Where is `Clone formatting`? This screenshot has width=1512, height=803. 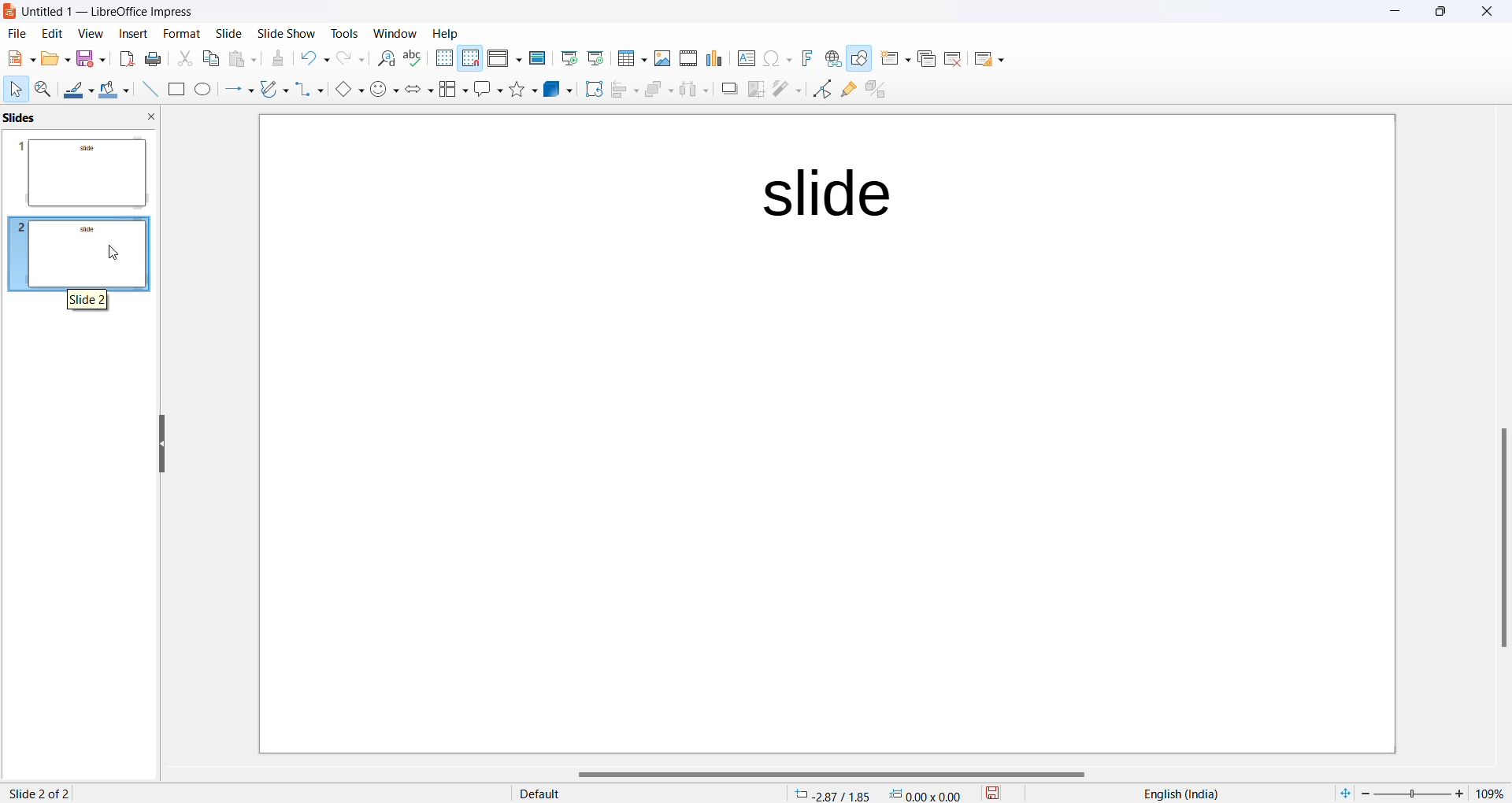
Clone formatting is located at coordinates (282, 60).